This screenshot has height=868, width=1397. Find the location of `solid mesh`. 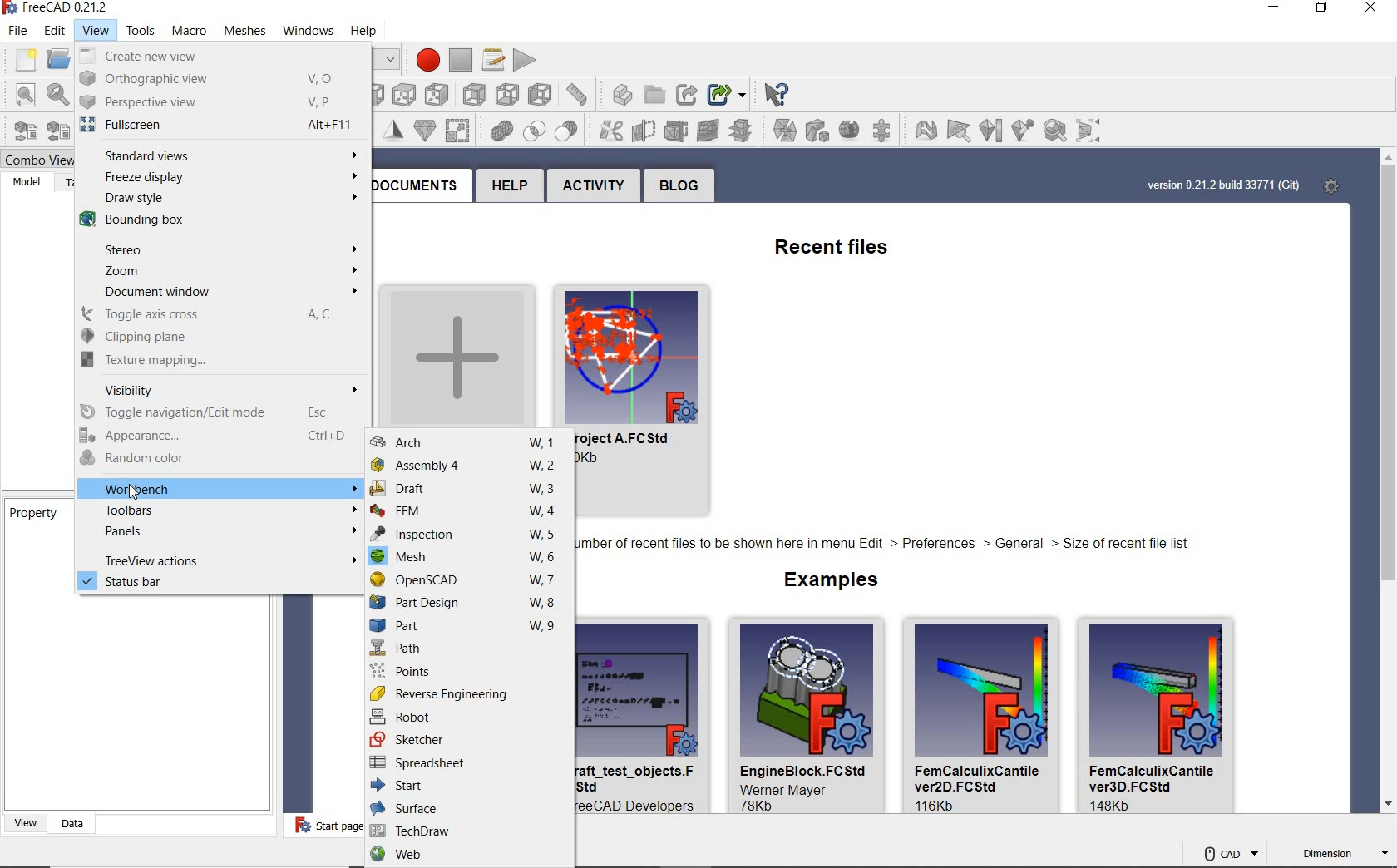

solid mesh is located at coordinates (1055, 129).